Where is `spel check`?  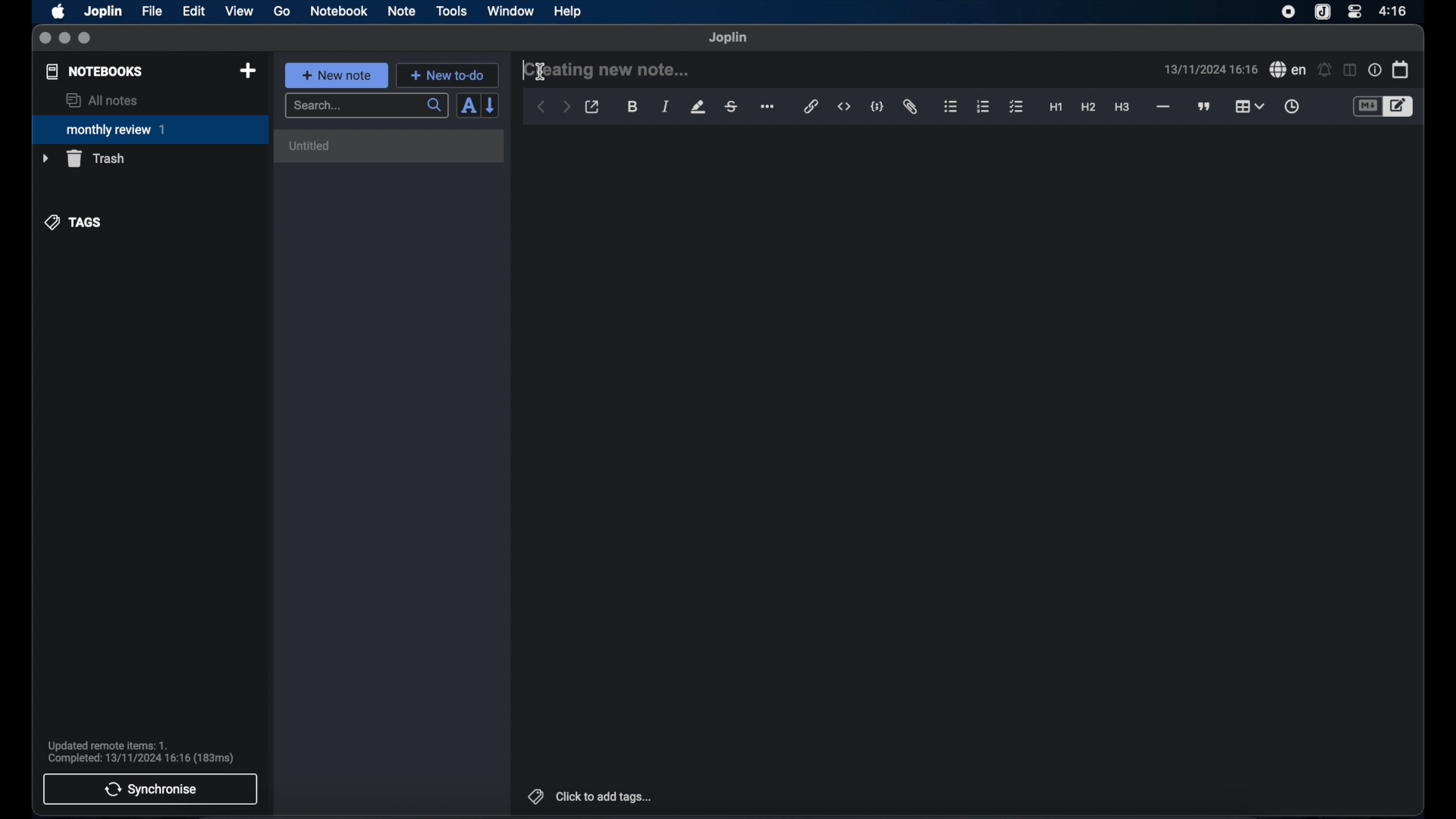
spel check is located at coordinates (1288, 70).